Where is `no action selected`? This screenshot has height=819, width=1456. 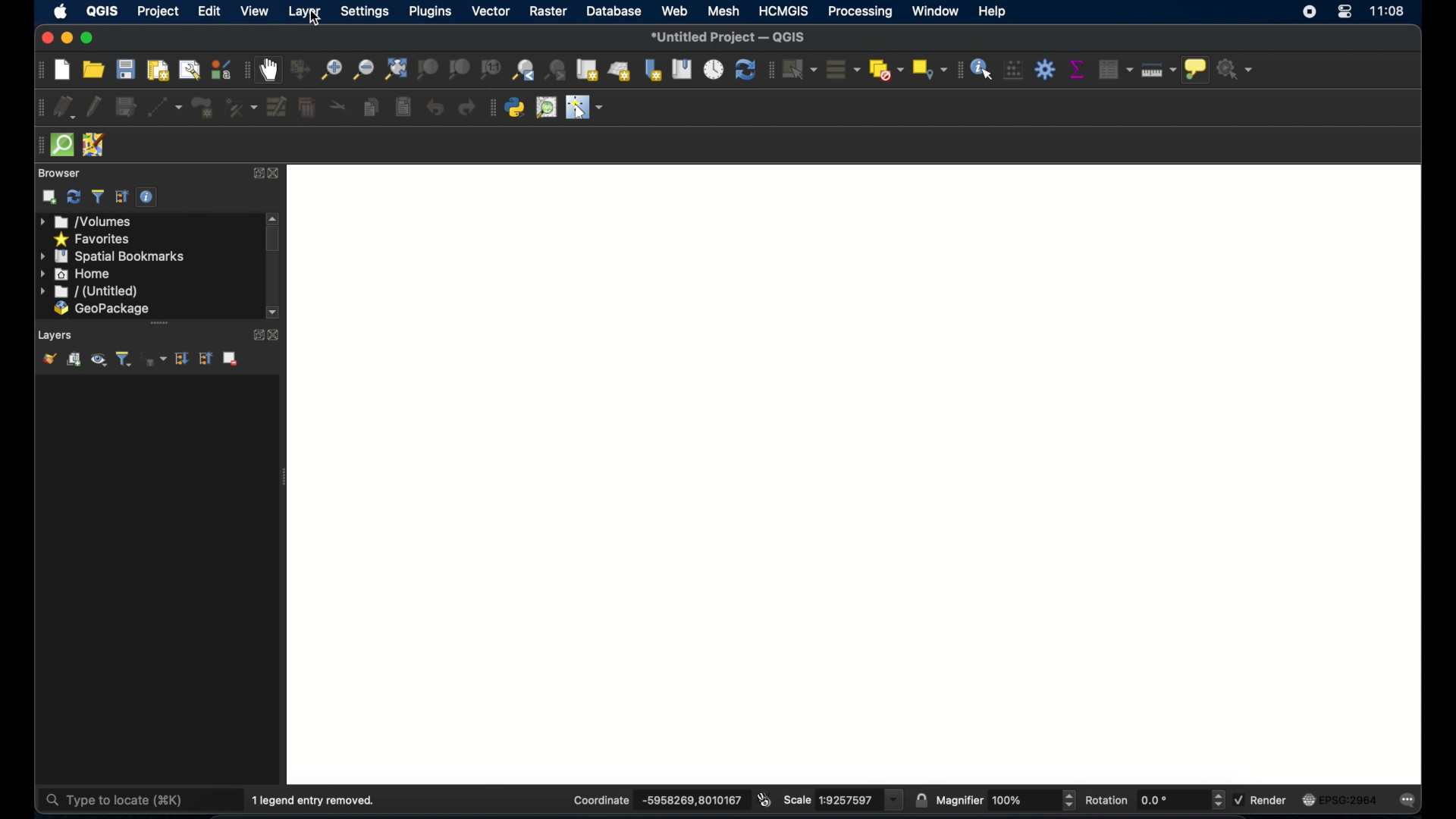 no action selected is located at coordinates (1237, 69).